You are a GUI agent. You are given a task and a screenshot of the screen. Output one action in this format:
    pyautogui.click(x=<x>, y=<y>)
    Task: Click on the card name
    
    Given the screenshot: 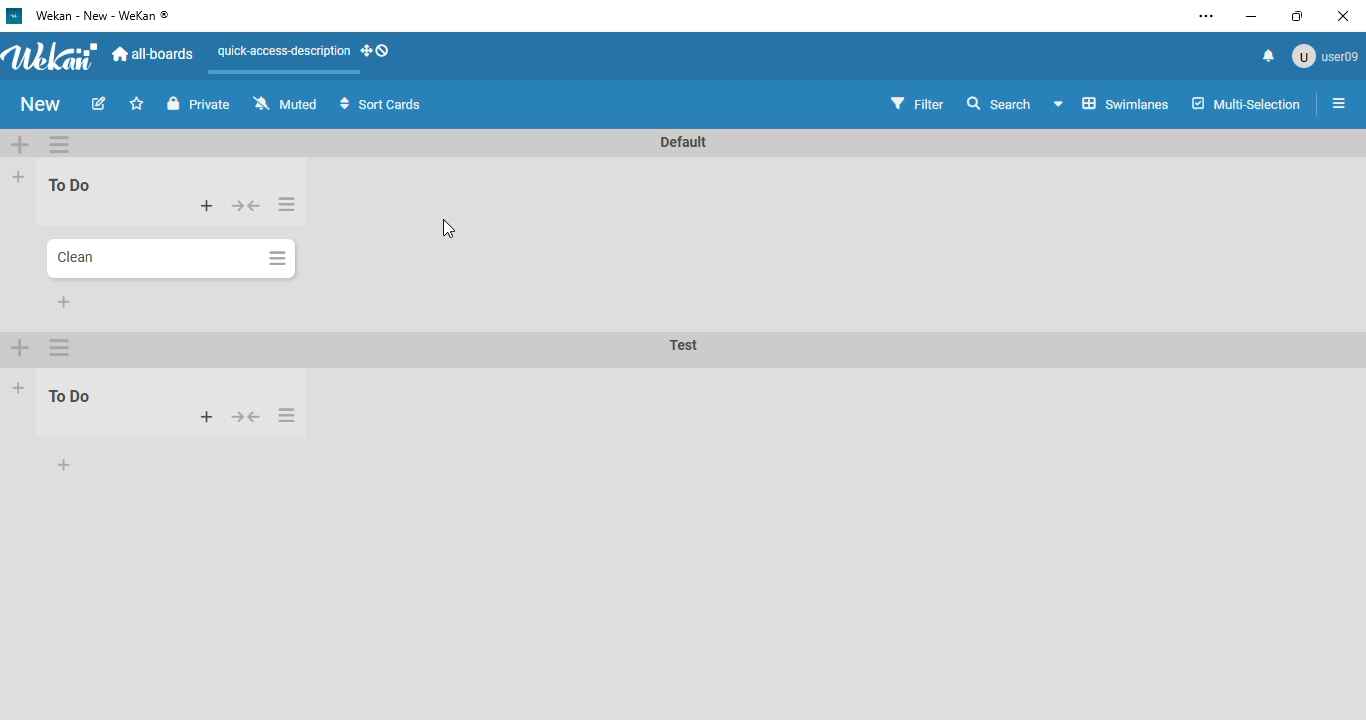 What is the action you would take?
    pyautogui.click(x=79, y=258)
    